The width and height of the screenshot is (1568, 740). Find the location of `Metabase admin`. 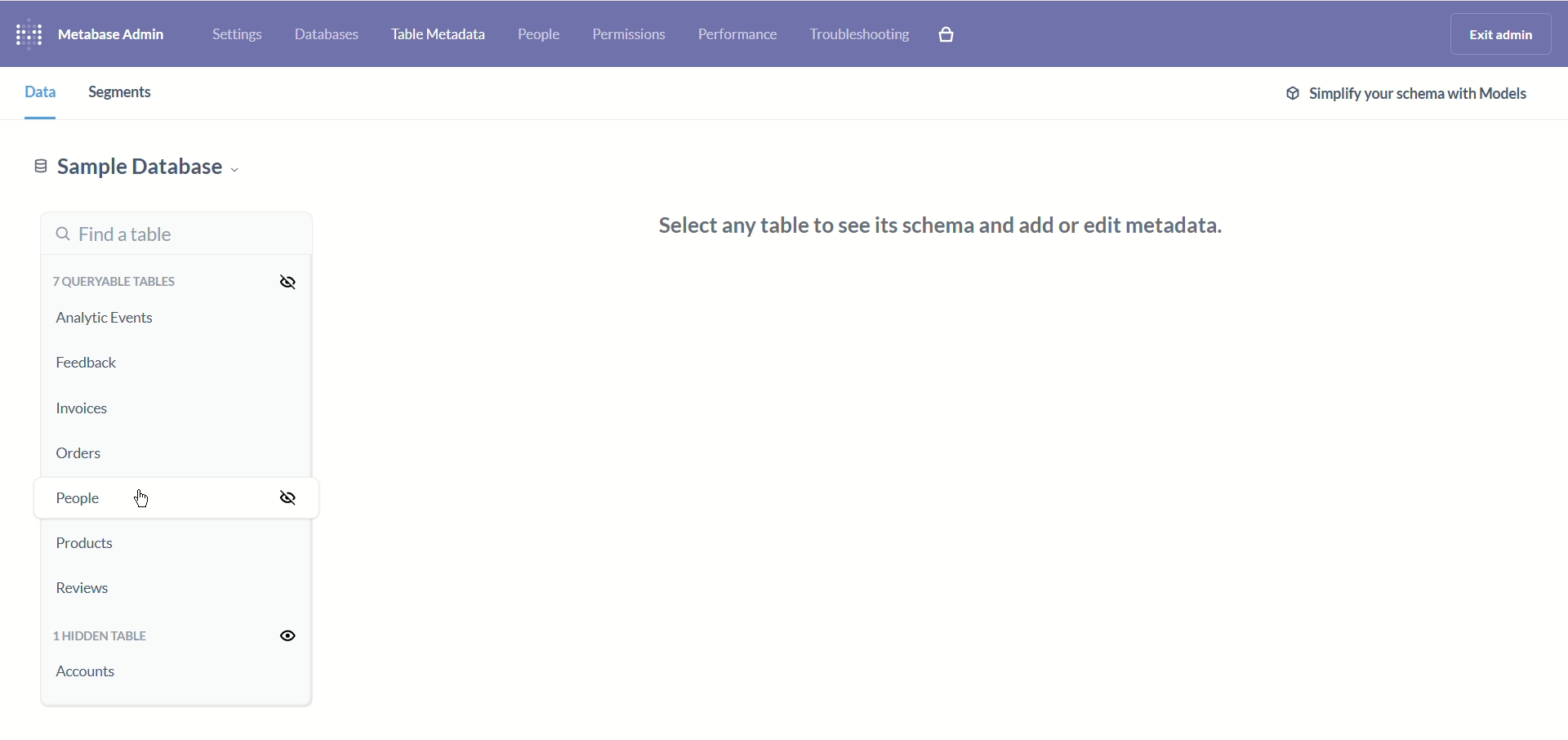

Metabase admin is located at coordinates (116, 32).